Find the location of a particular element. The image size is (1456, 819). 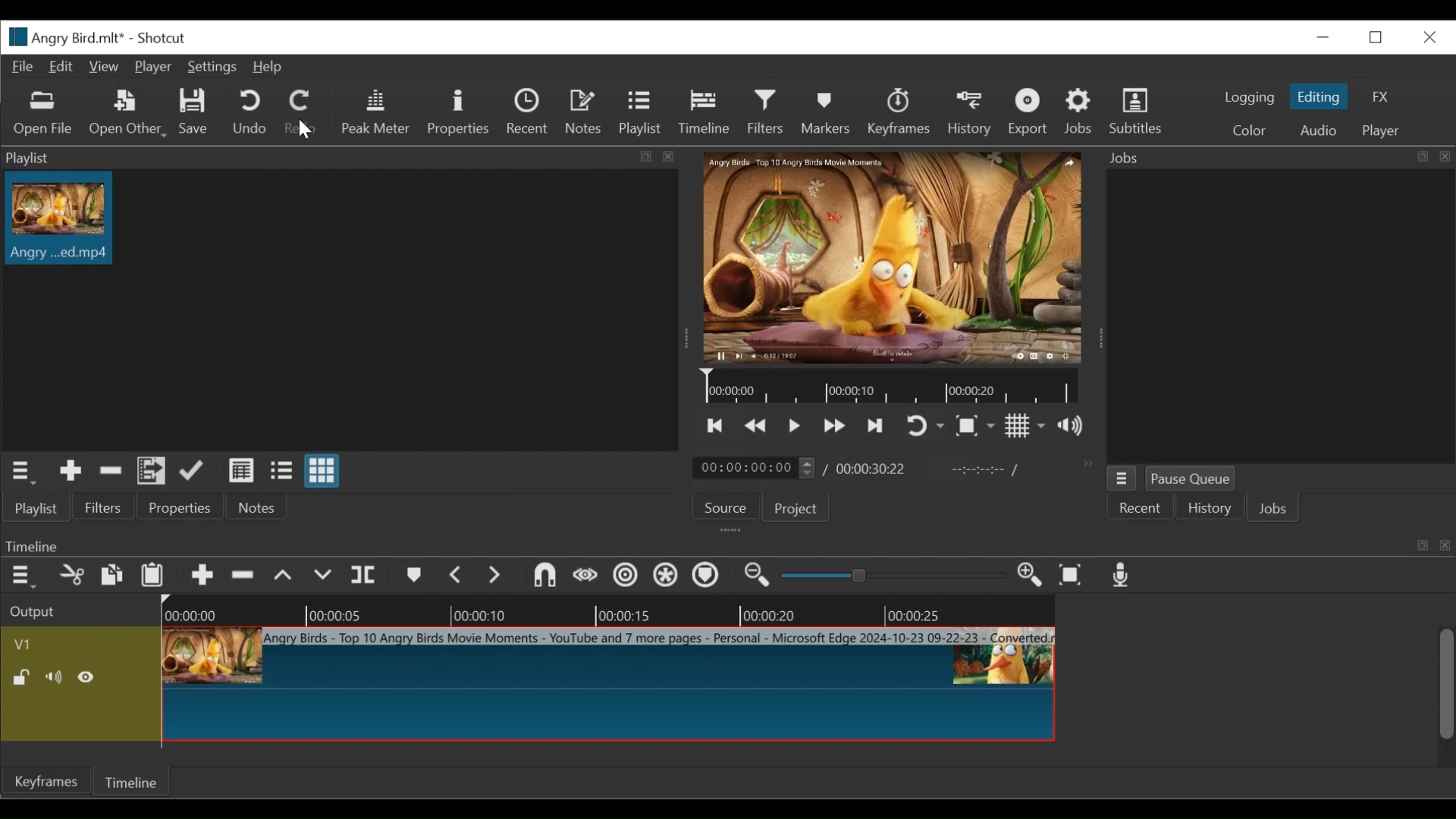

logging is located at coordinates (1248, 99).